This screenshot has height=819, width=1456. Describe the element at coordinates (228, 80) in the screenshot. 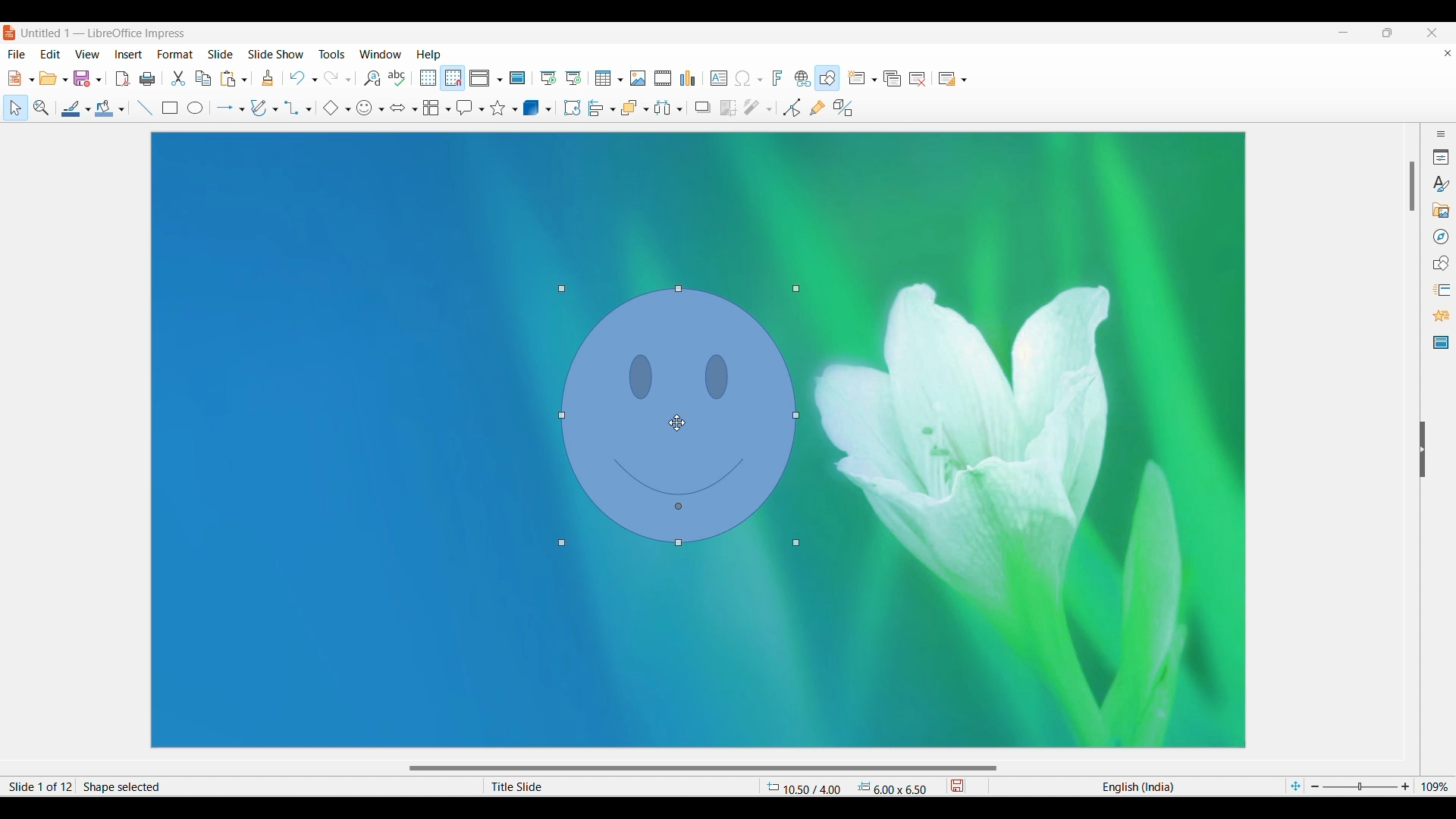

I see `Paste` at that location.